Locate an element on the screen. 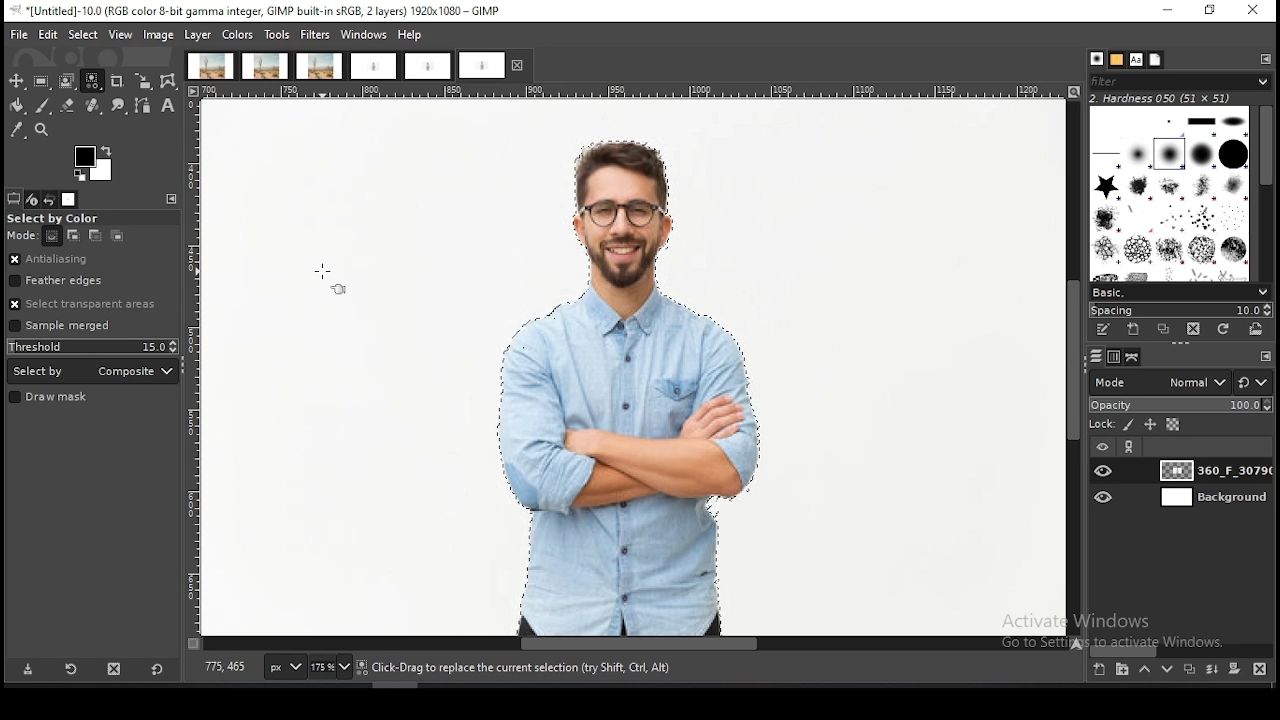 The image size is (1280, 720). document history is located at coordinates (1156, 59).